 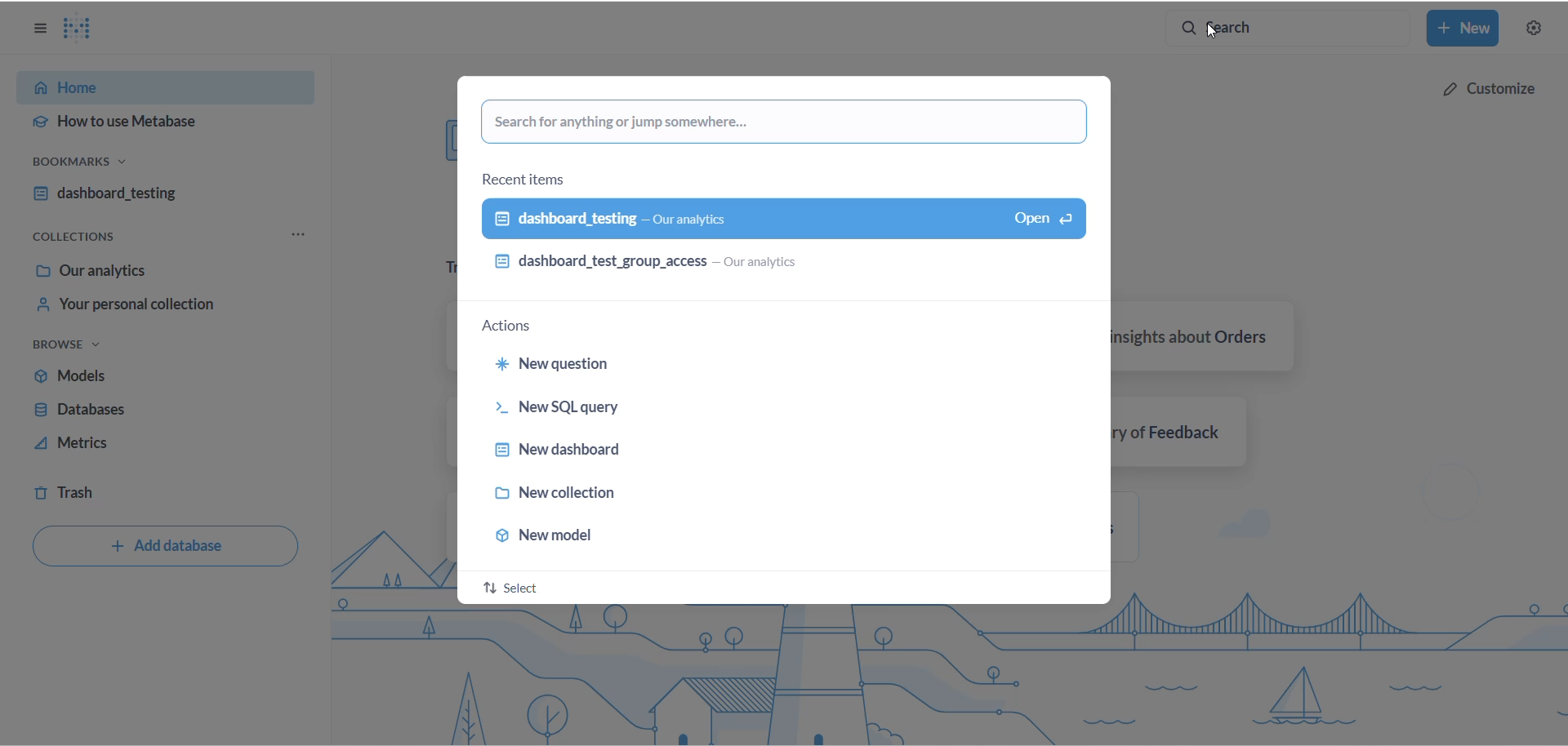 I want to click on how to use metabase, so click(x=167, y=123).